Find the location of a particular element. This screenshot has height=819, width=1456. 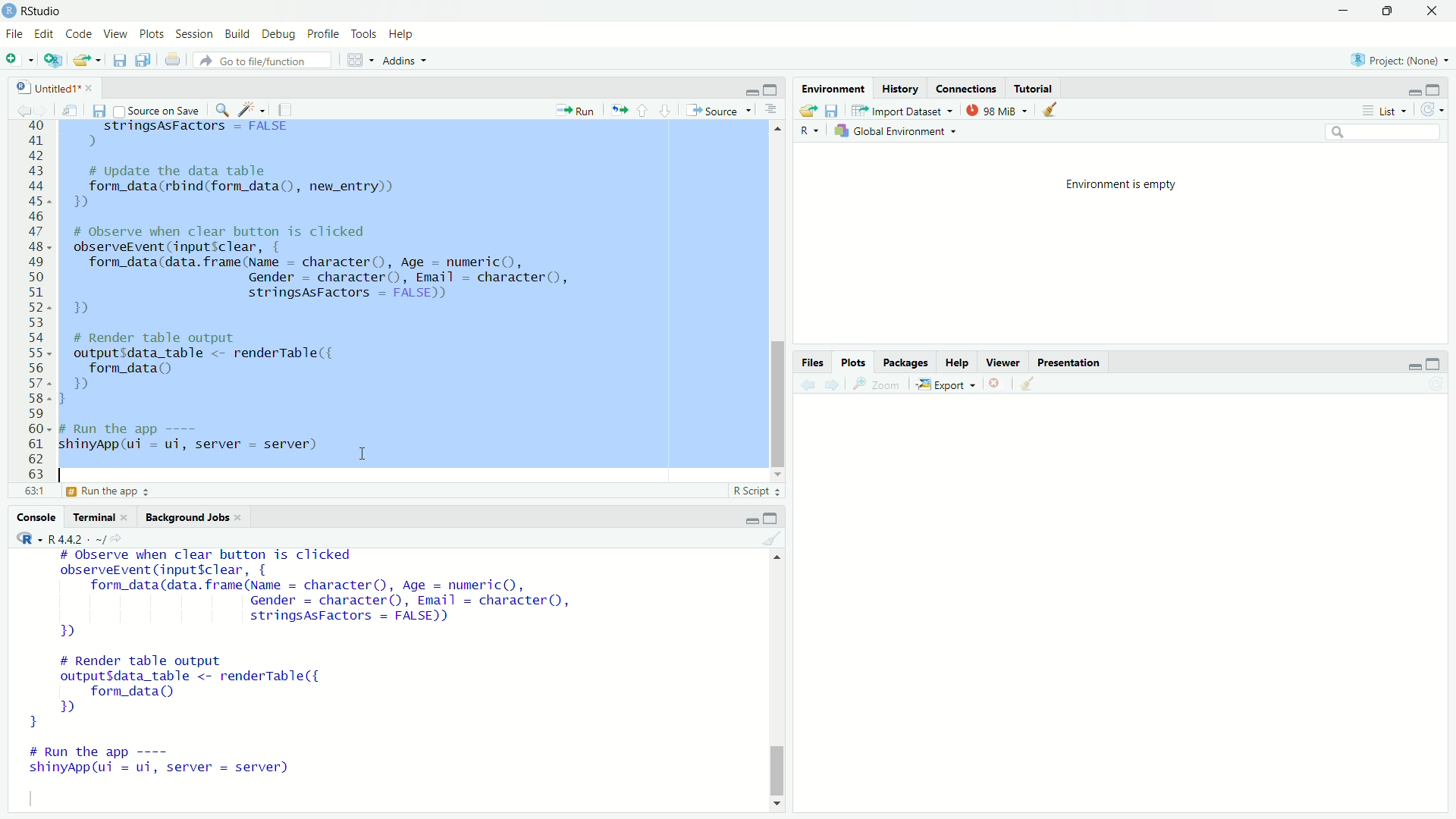

Open an existing file is located at coordinates (88, 61).